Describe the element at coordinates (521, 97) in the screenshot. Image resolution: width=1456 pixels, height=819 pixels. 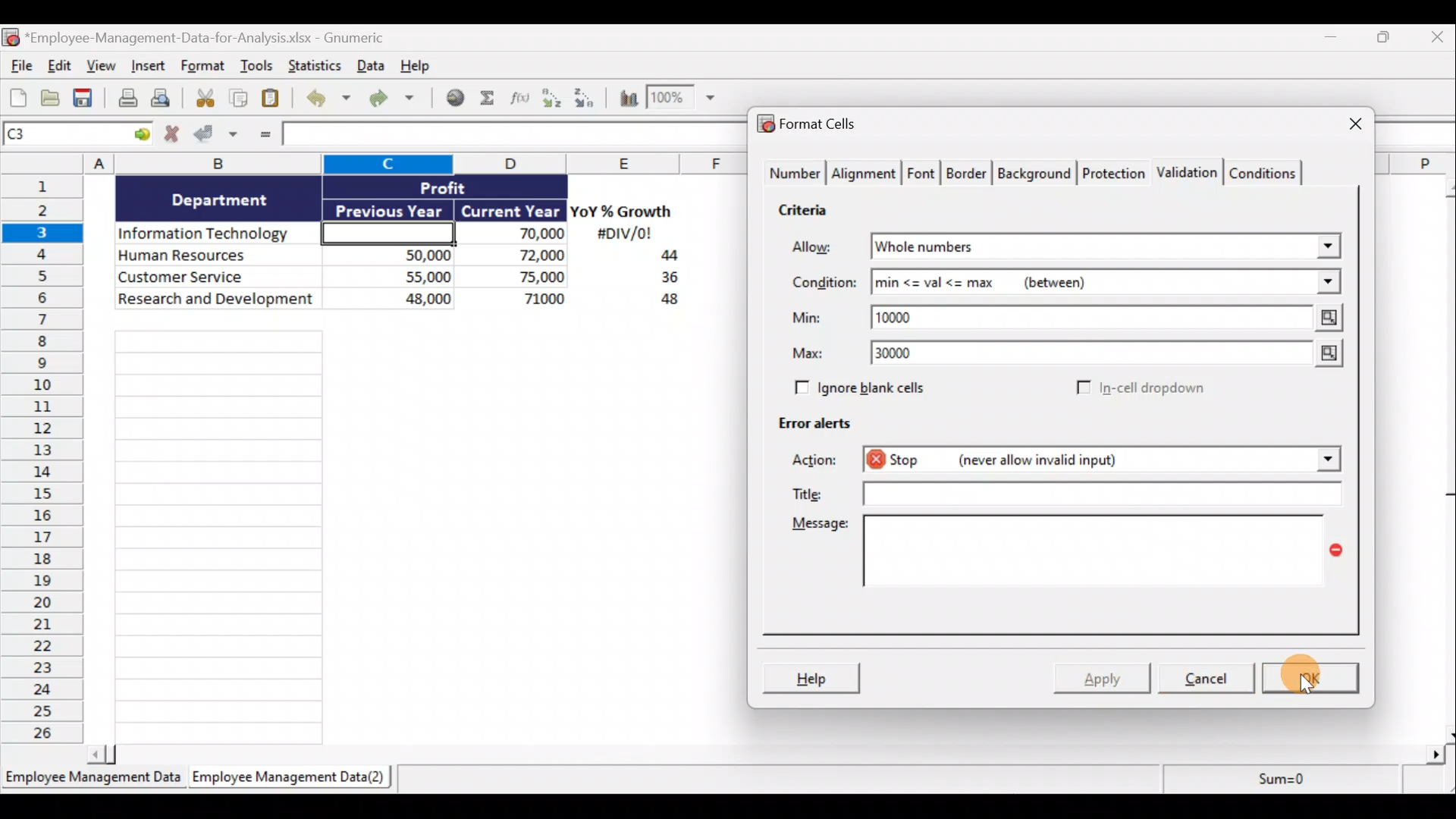
I see `Edit a function in the current cell` at that location.